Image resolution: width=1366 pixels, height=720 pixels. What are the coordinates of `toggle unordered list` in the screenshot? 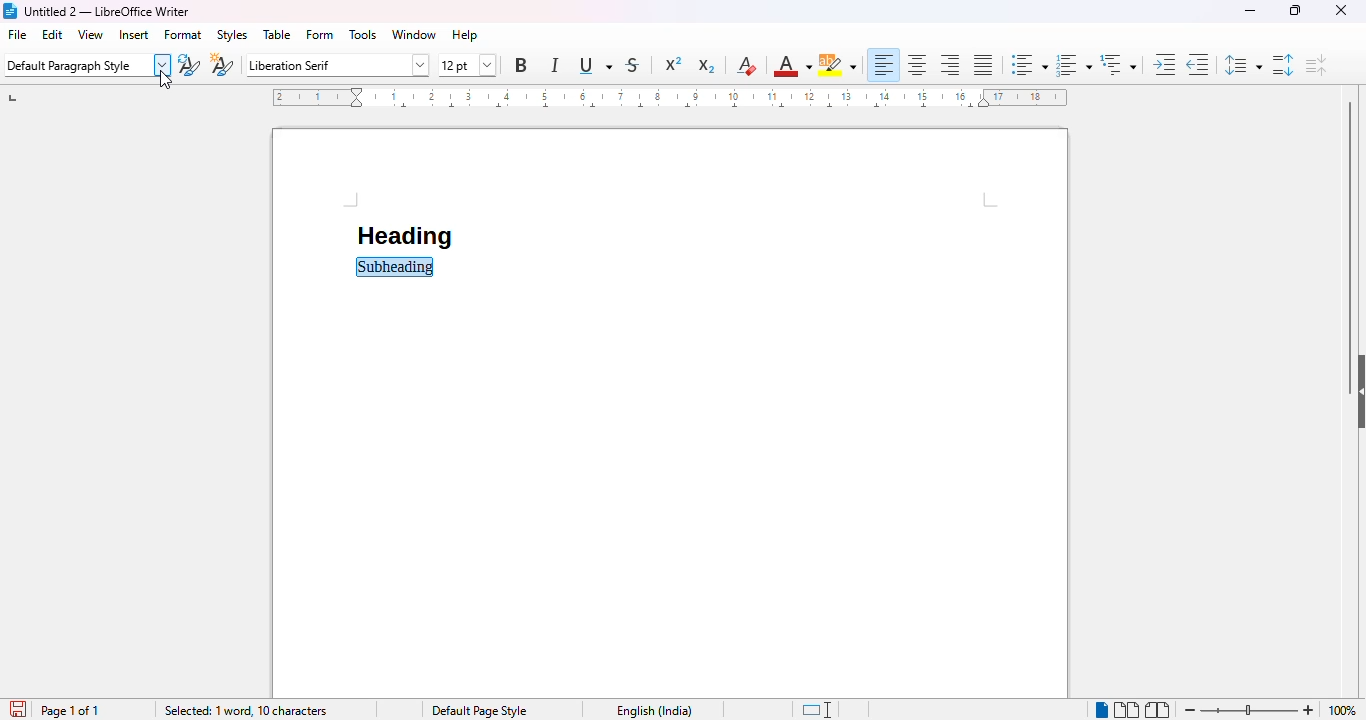 It's located at (1030, 65).